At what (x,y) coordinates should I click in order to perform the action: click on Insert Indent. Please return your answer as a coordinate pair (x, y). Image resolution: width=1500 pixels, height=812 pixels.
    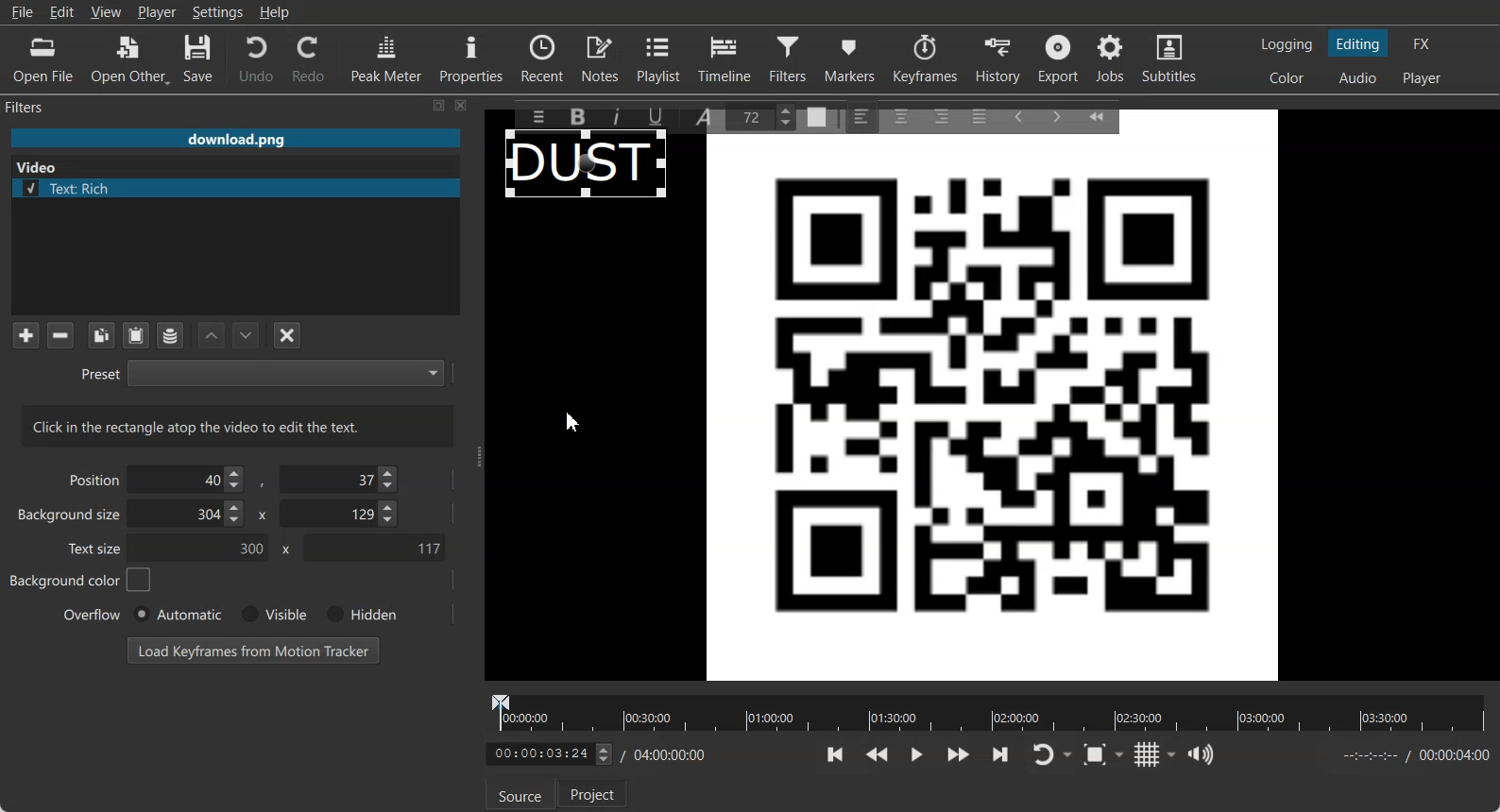
    Looking at the image, I should click on (1057, 117).